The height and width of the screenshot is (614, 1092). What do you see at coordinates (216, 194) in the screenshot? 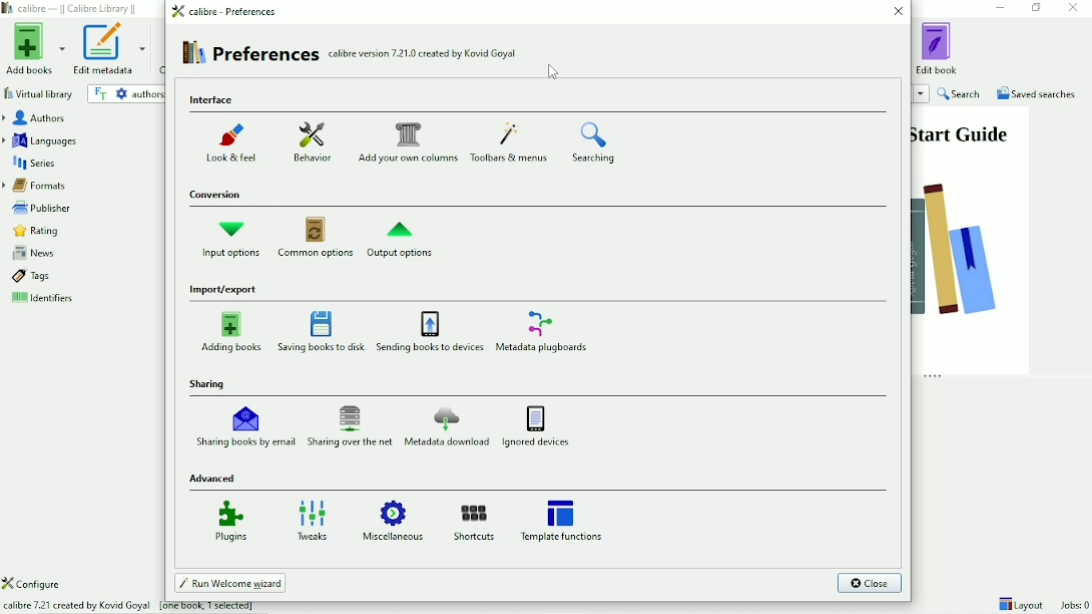
I see `Conversion` at bounding box center [216, 194].